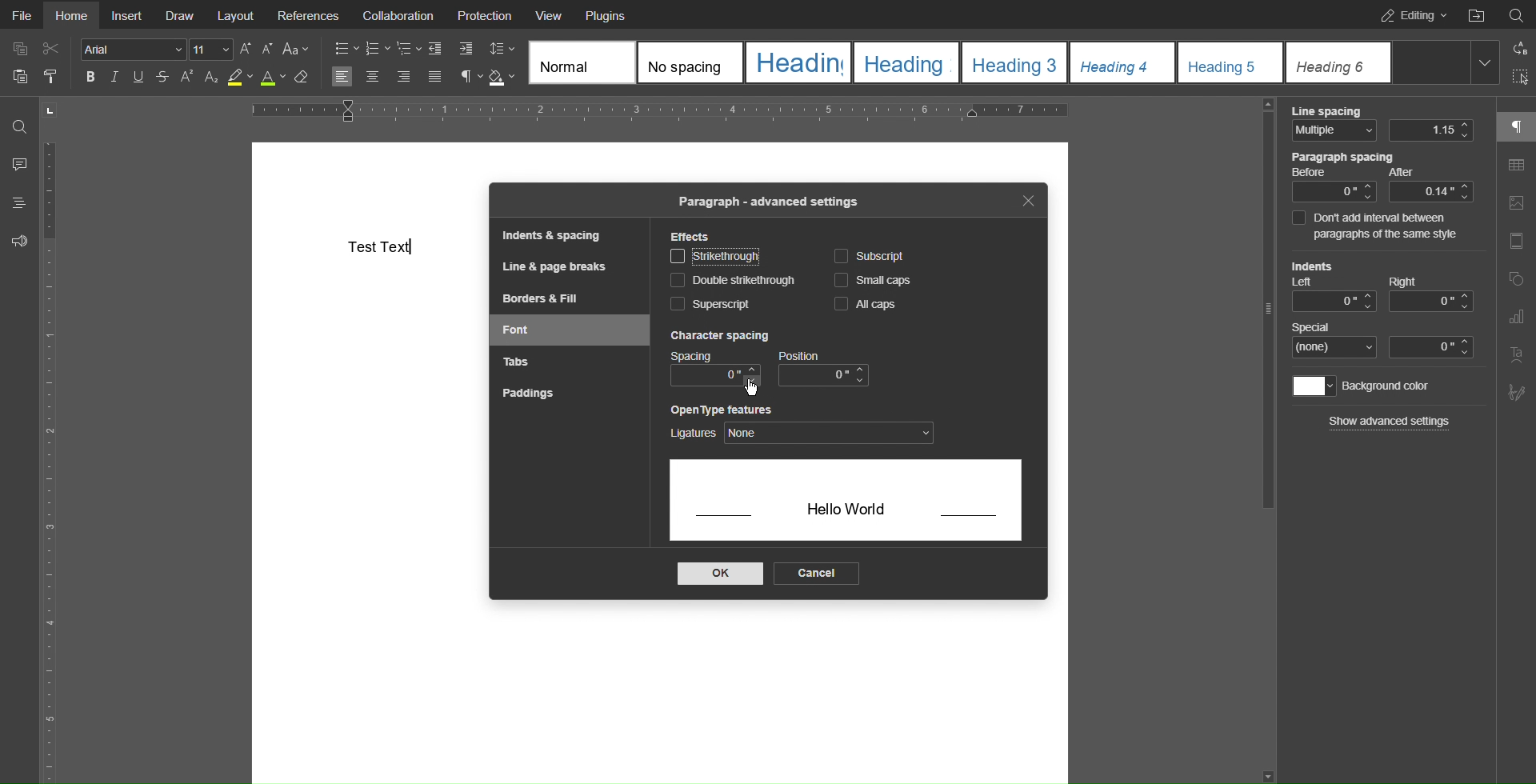 This screenshot has height=784, width=1536. What do you see at coordinates (815, 574) in the screenshot?
I see `Cancel` at bounding box center [815, 574].